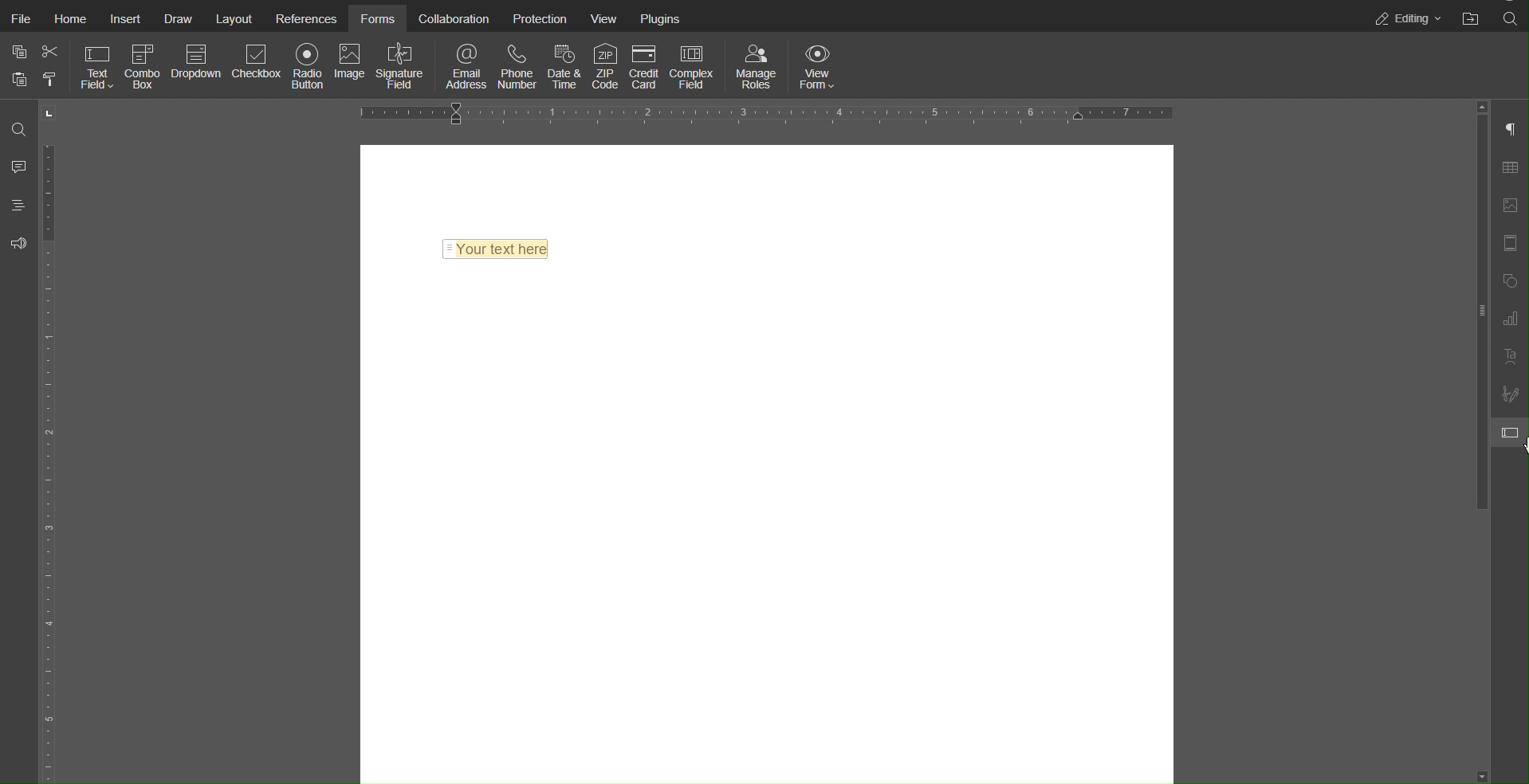 The height and width of the screenshot is (784, 1529). I want to click on Graph Settings, so click(1509, 319).